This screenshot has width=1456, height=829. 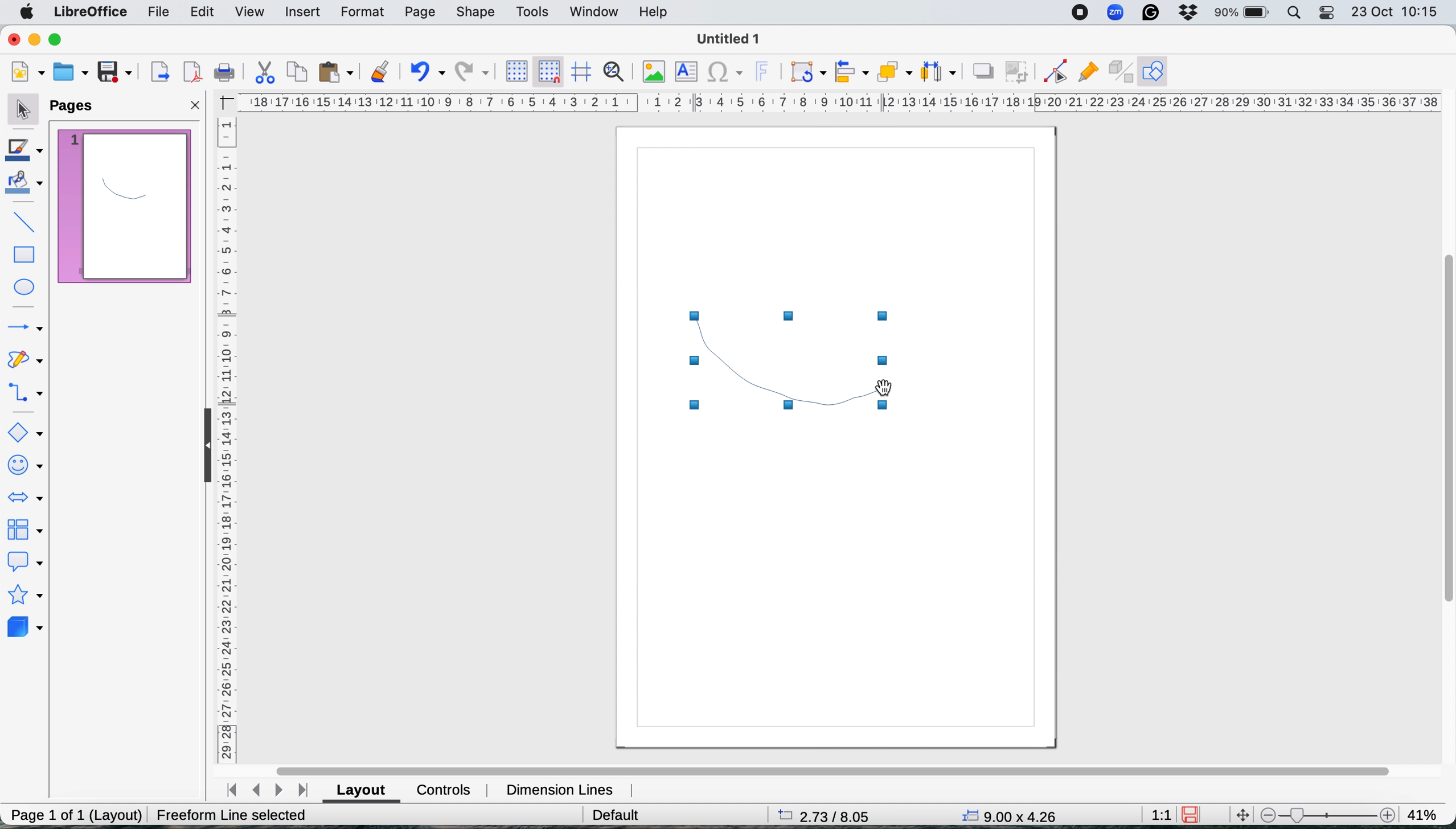 What do you see at coordinates (896, 387) in the screenshot?
I see `cursor` at bounding box center [896, 387].